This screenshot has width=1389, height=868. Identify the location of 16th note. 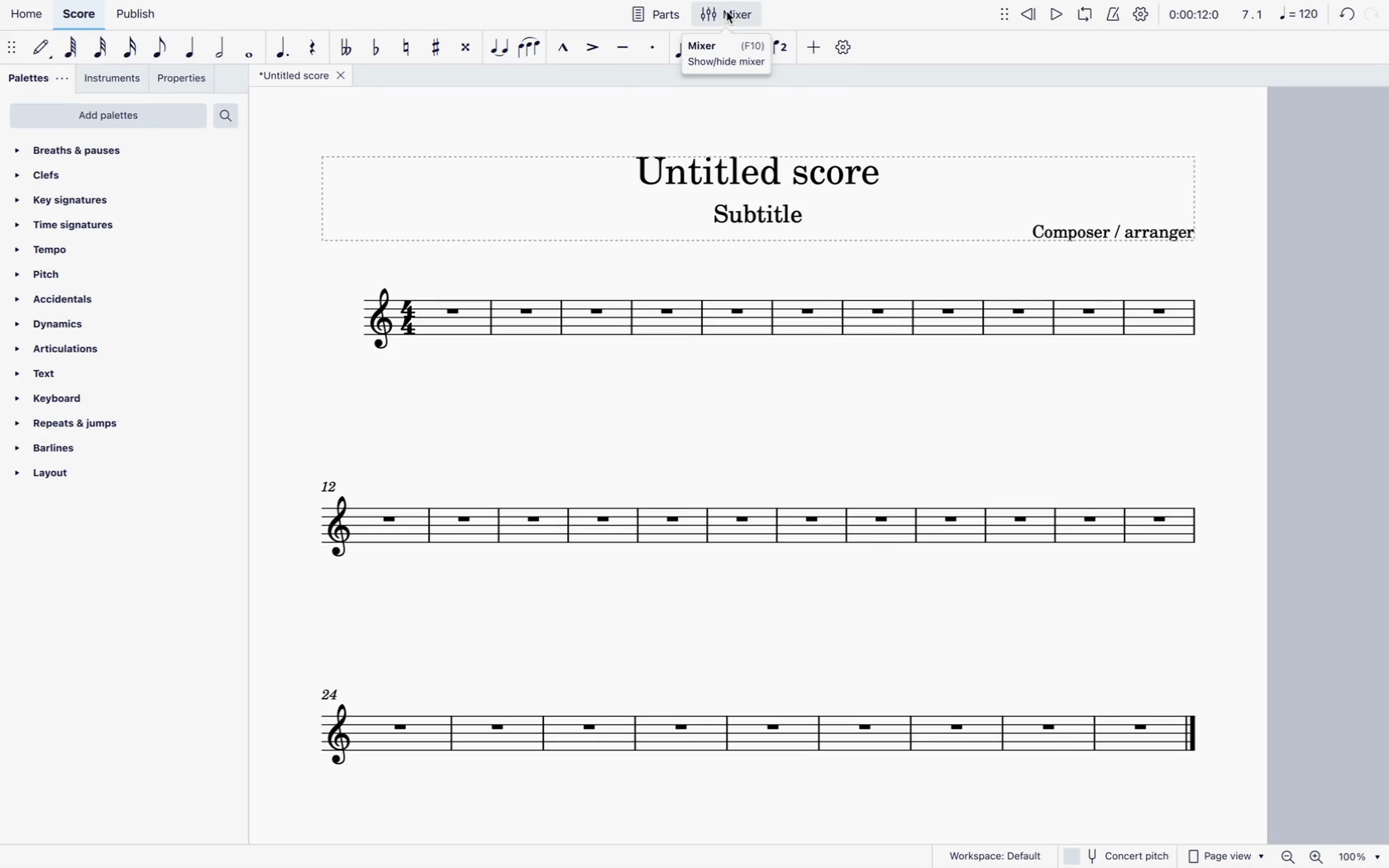
(131, 48).